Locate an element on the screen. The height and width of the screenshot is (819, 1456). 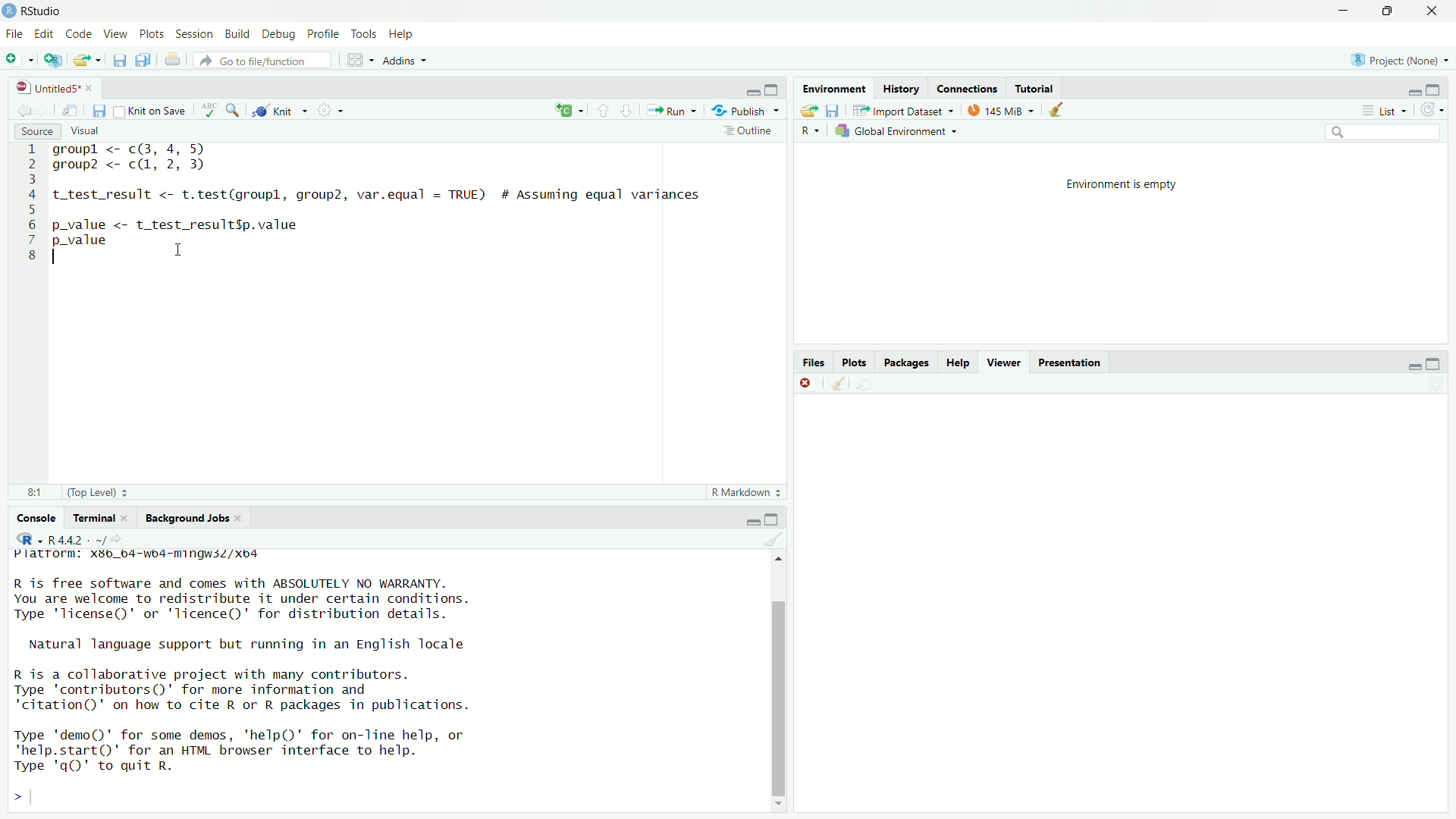
Packages is located at coordinates (908, 362).